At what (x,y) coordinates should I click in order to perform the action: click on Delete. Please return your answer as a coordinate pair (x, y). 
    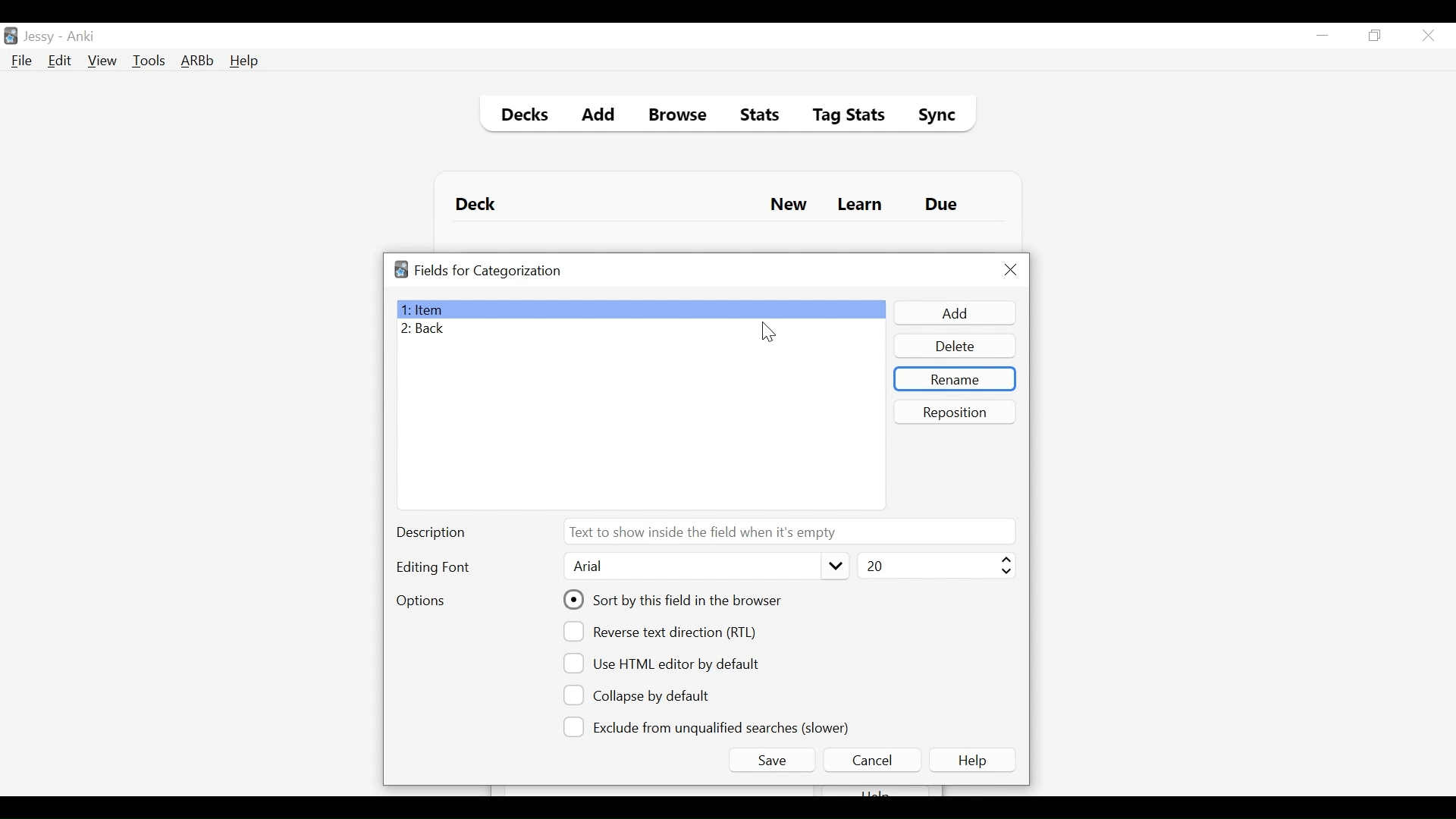
    Looking at the image, I should click on (954, 347).